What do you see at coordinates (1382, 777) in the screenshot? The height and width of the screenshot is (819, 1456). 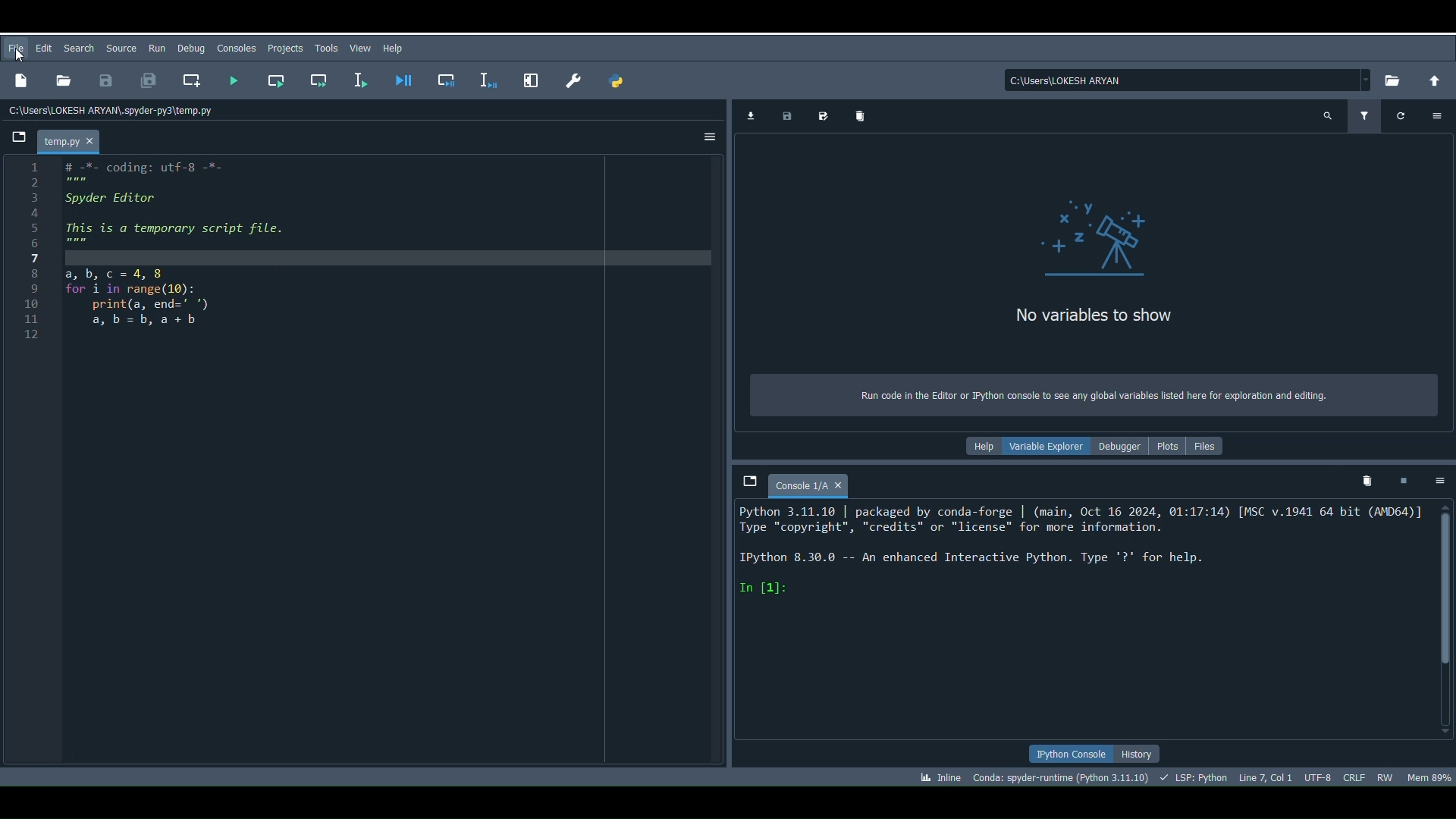 I see `File permissions` at bounding box center [1382, 777].